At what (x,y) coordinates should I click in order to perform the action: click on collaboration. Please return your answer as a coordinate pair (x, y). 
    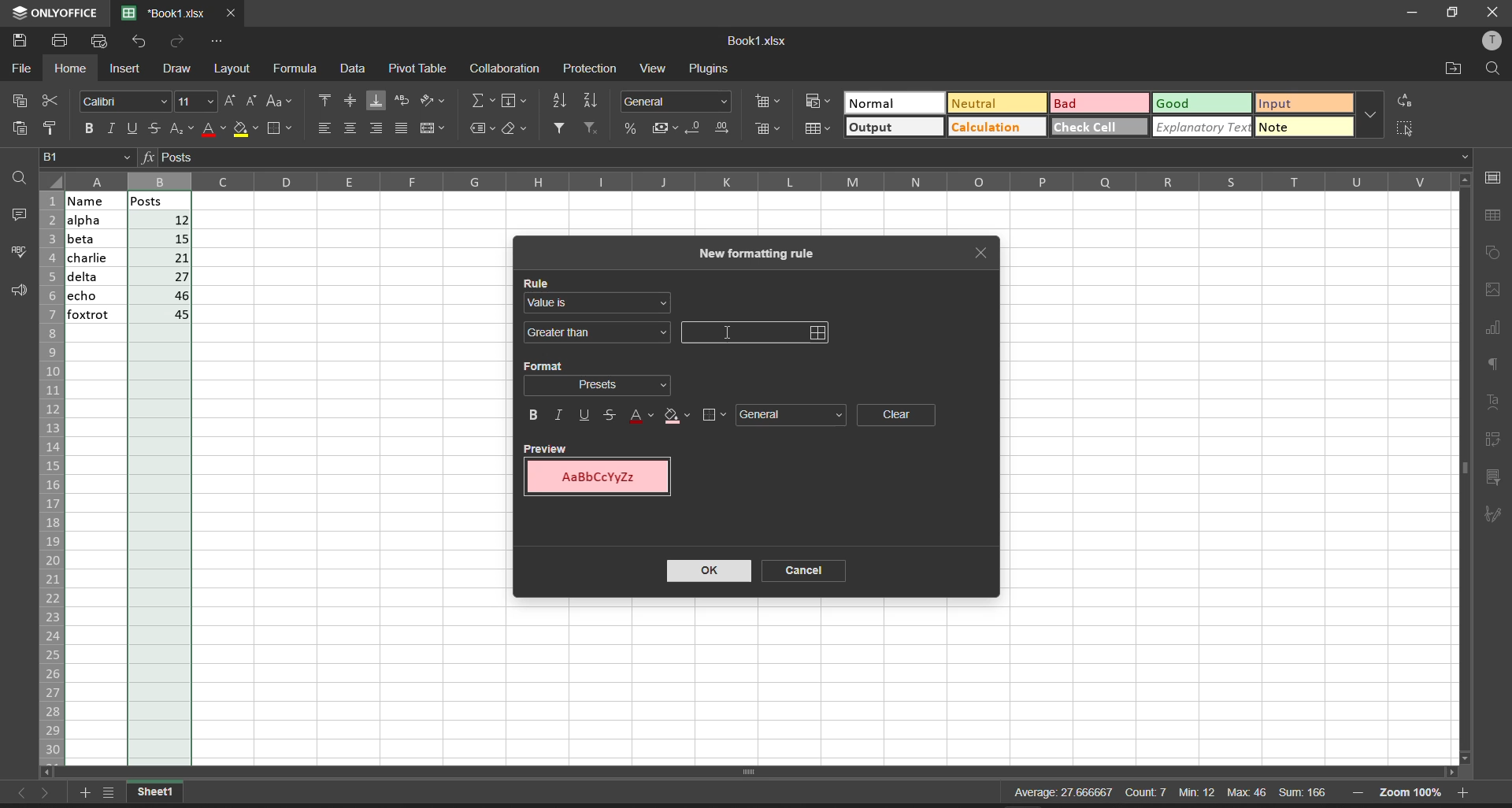
    Looking at the image, I should click on (506, 69).